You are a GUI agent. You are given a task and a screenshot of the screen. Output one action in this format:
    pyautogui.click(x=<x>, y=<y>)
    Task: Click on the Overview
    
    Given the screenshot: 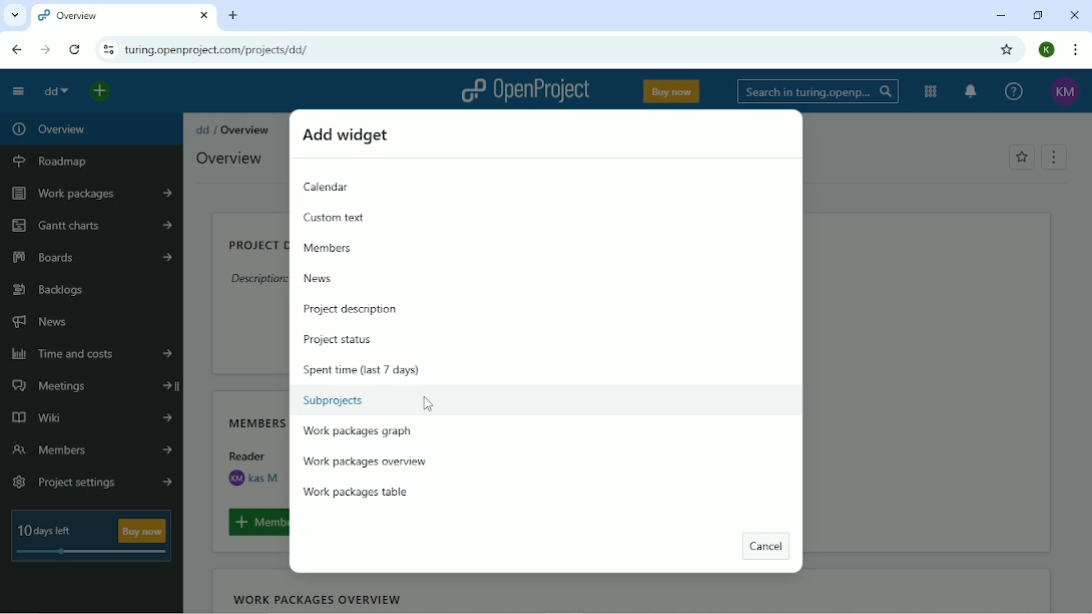 What is the action you would take?
    pyautogui.click(x=229, y=157)
    